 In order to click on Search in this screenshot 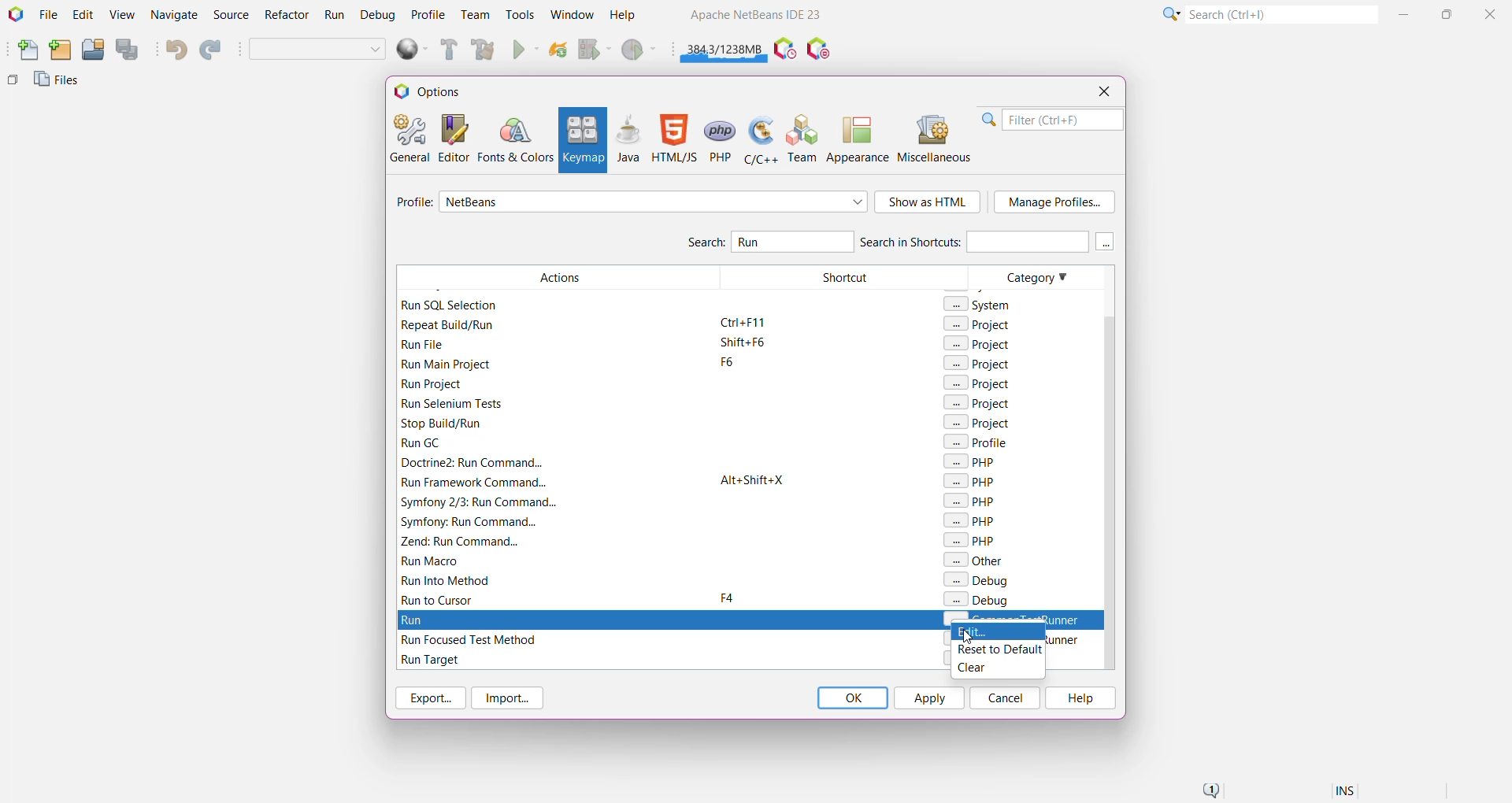, I will do `click(1280, 13)`.